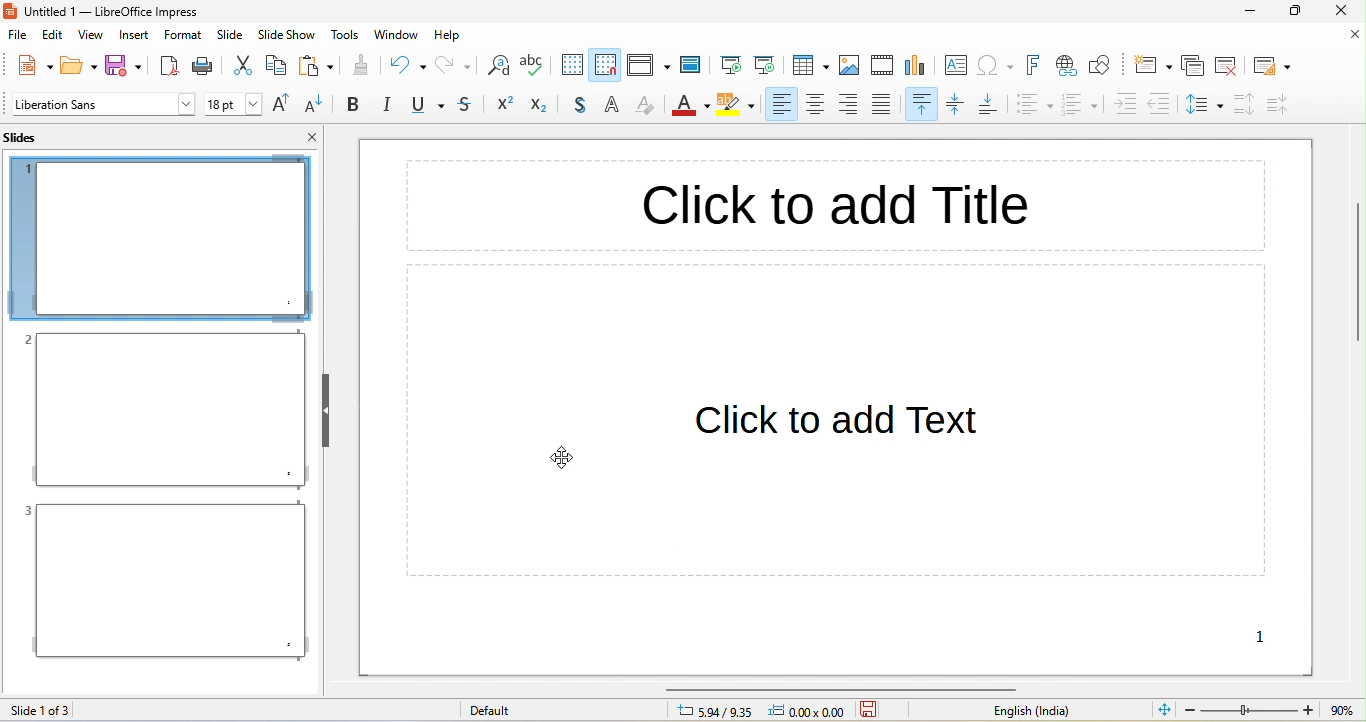 This screenshot has height=722, width=1366. What do you see at coordinates (11, 12) in the screenshot?
I see `logo` at bounding box center [11, 12].